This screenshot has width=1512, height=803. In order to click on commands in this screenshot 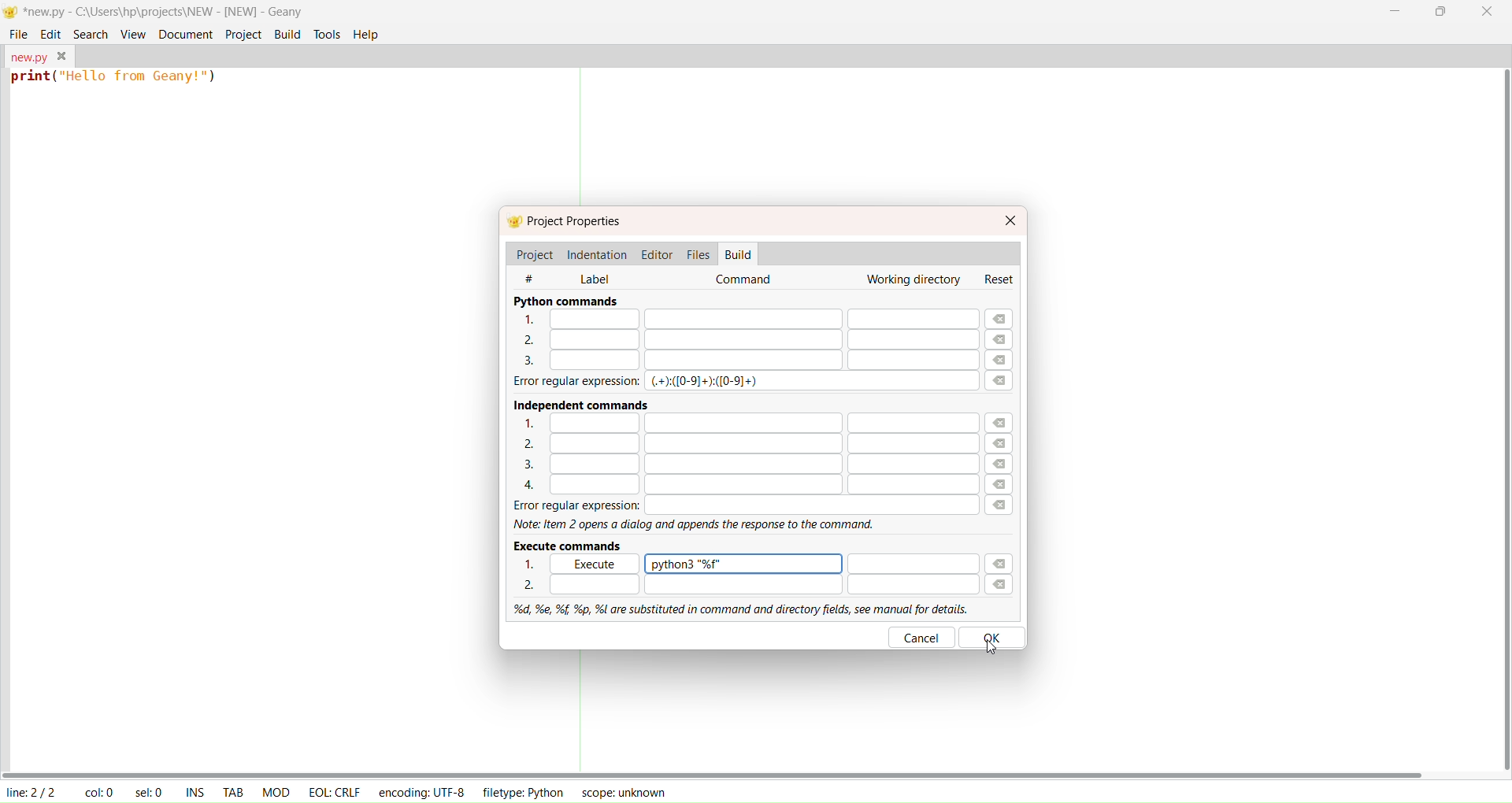, I will do `click(747, 280)`.